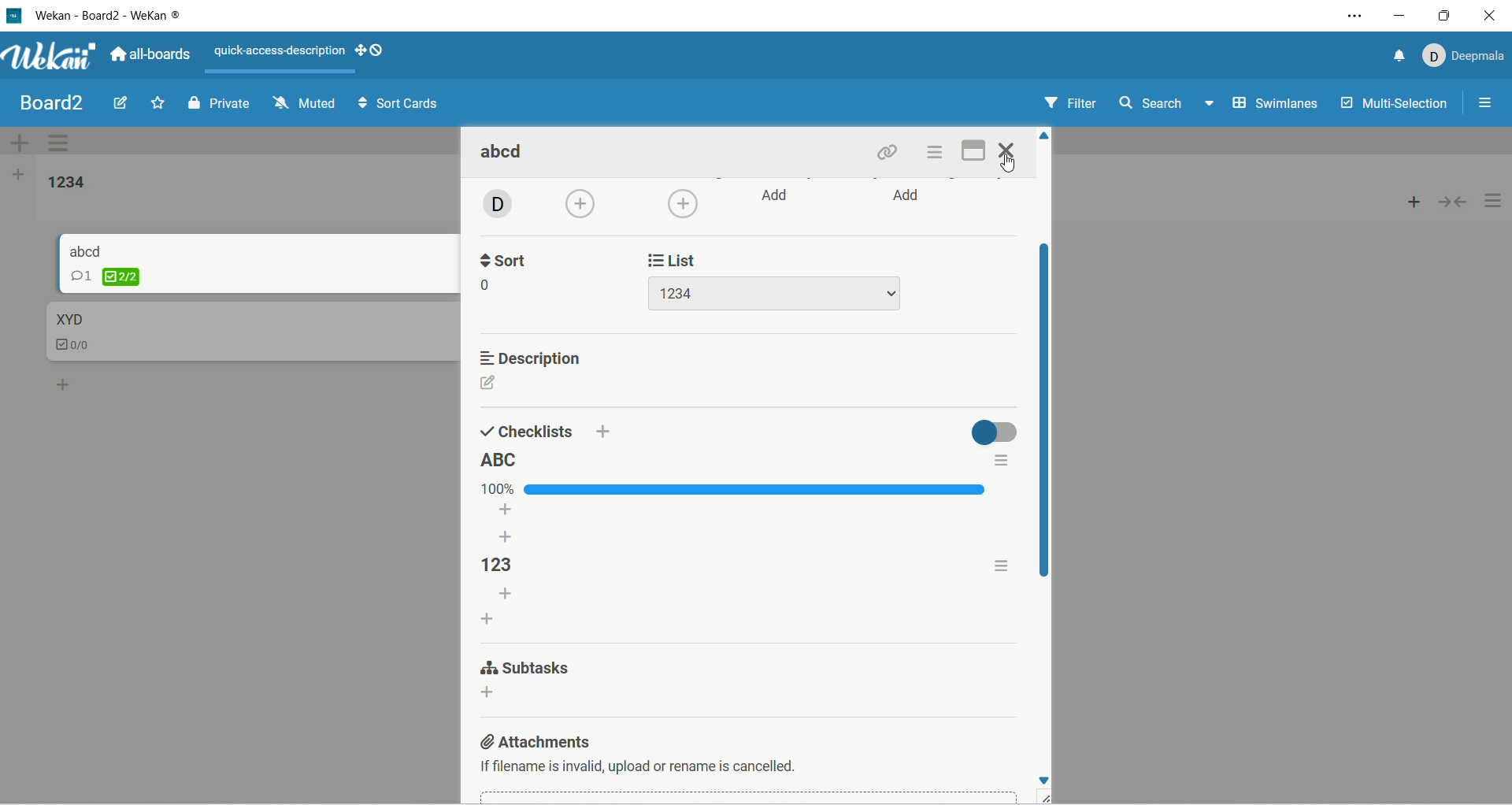  What do you see at coordinates (504, 565) in the screenshot?
I see `list title` at bounding box center [504, 565].